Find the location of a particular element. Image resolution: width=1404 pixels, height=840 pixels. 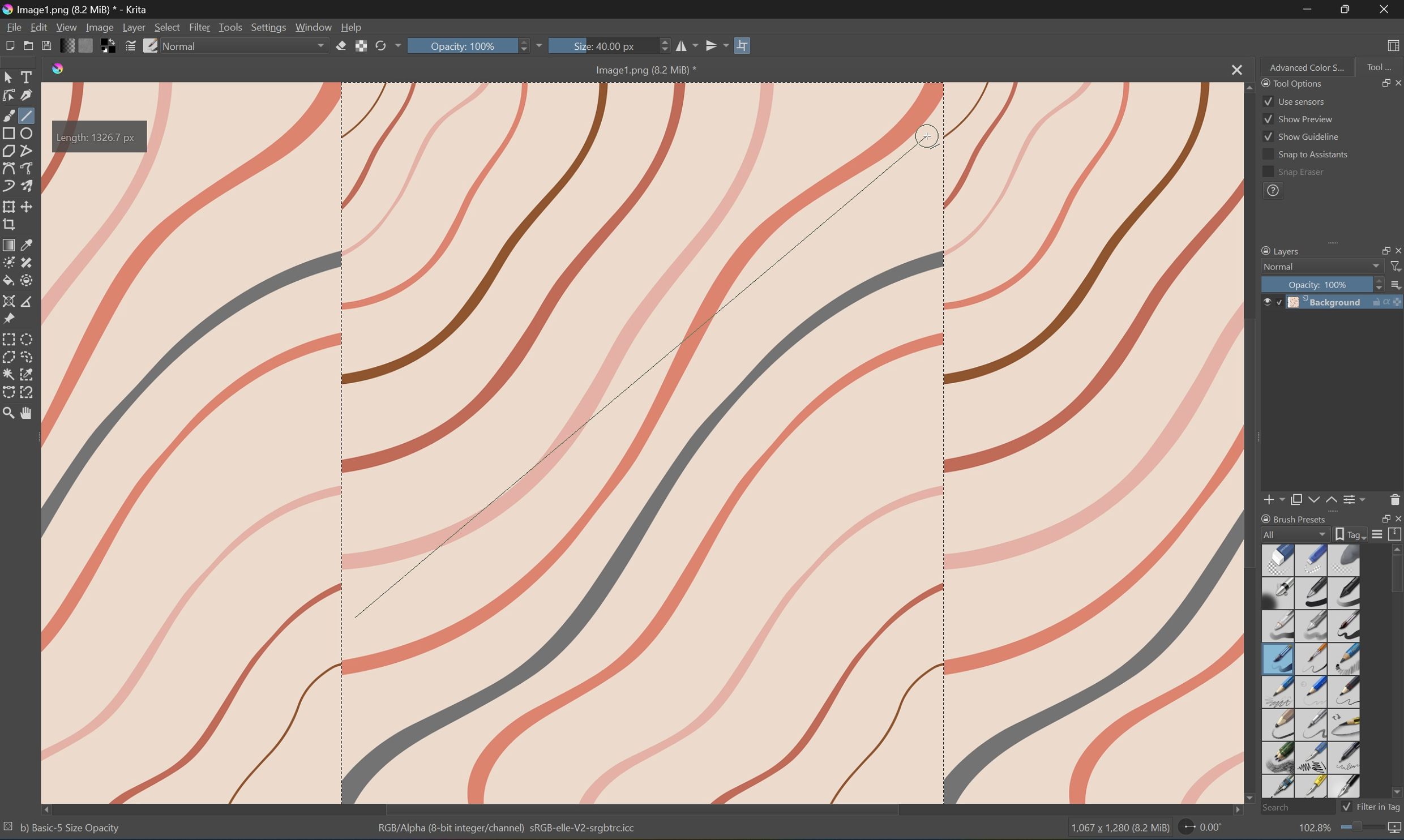

Reference images tool is located at coordinates (9, 320).